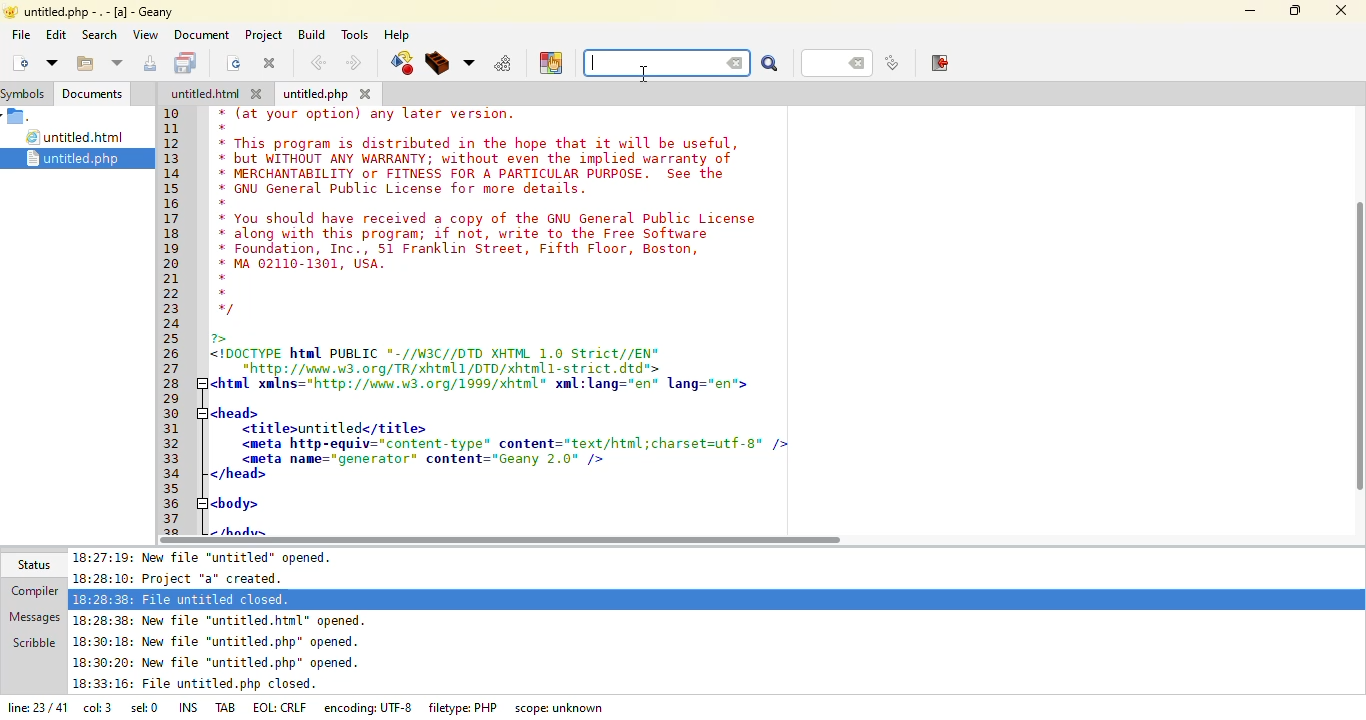 This screenshot has height=720, width=1366. I want to click on eol: CRLF, so click(282, 708).